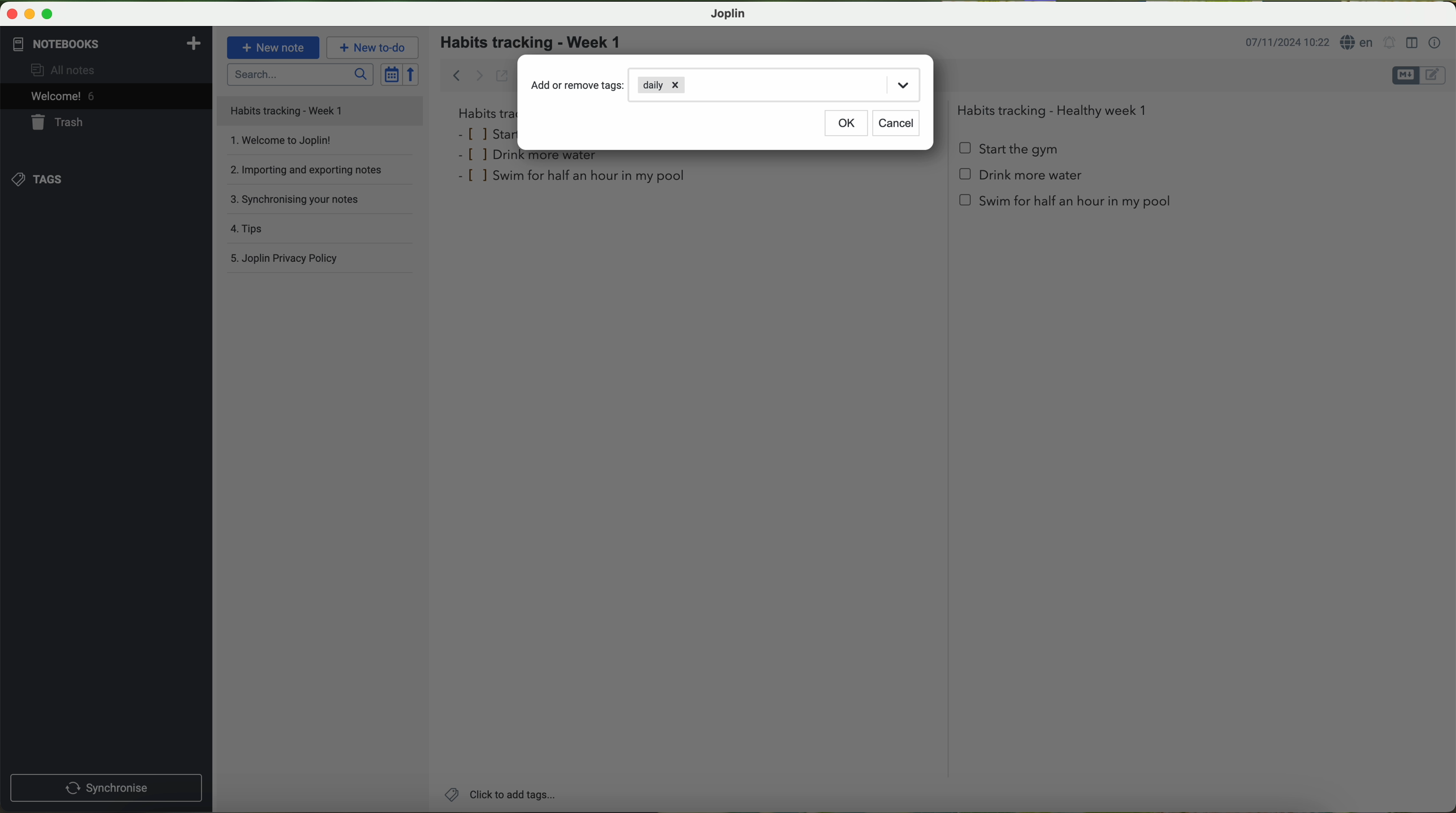  I want to click on forward, so click(479, 75).